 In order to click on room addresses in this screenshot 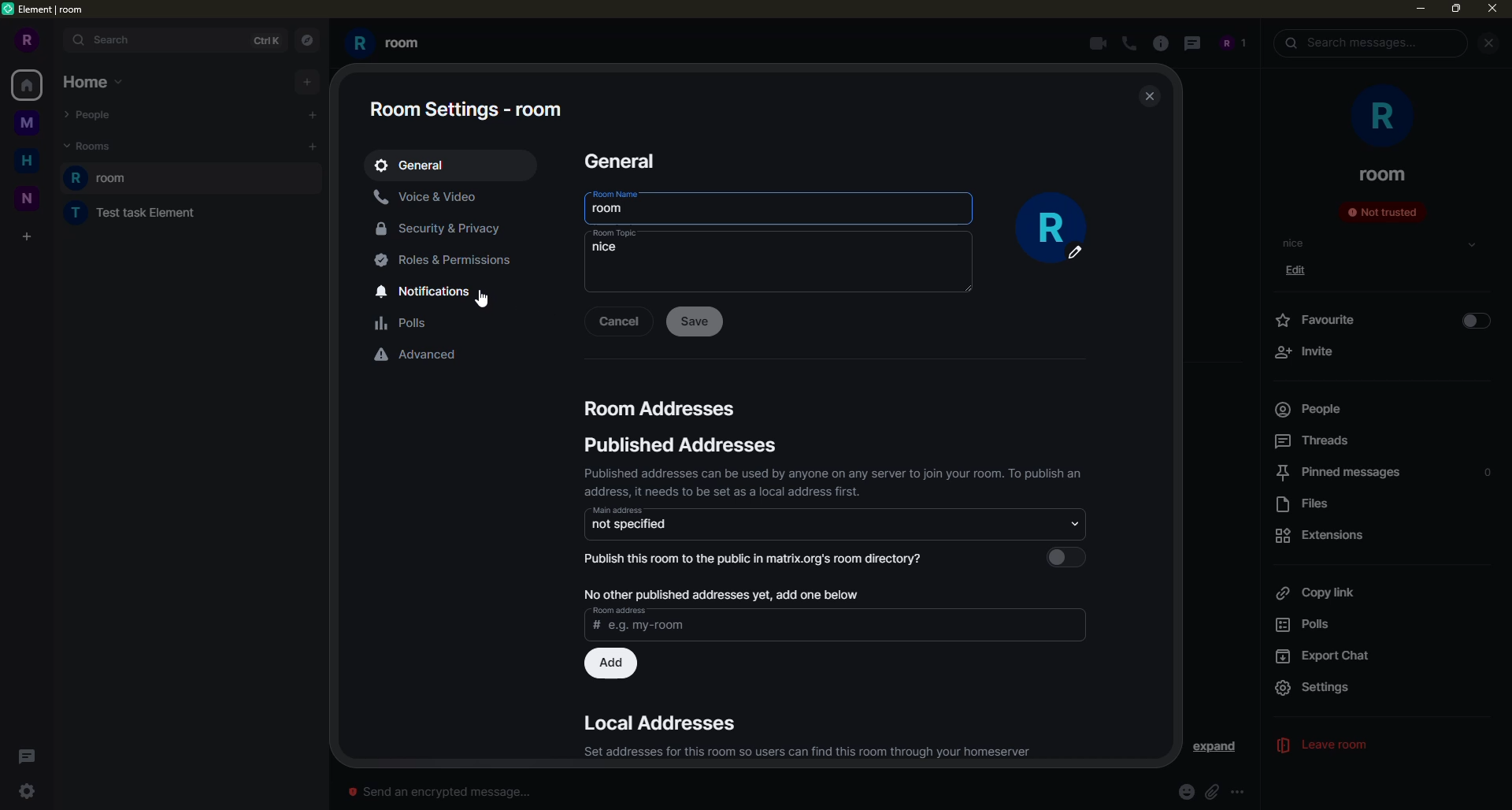, I will do `click(664, 408)`.